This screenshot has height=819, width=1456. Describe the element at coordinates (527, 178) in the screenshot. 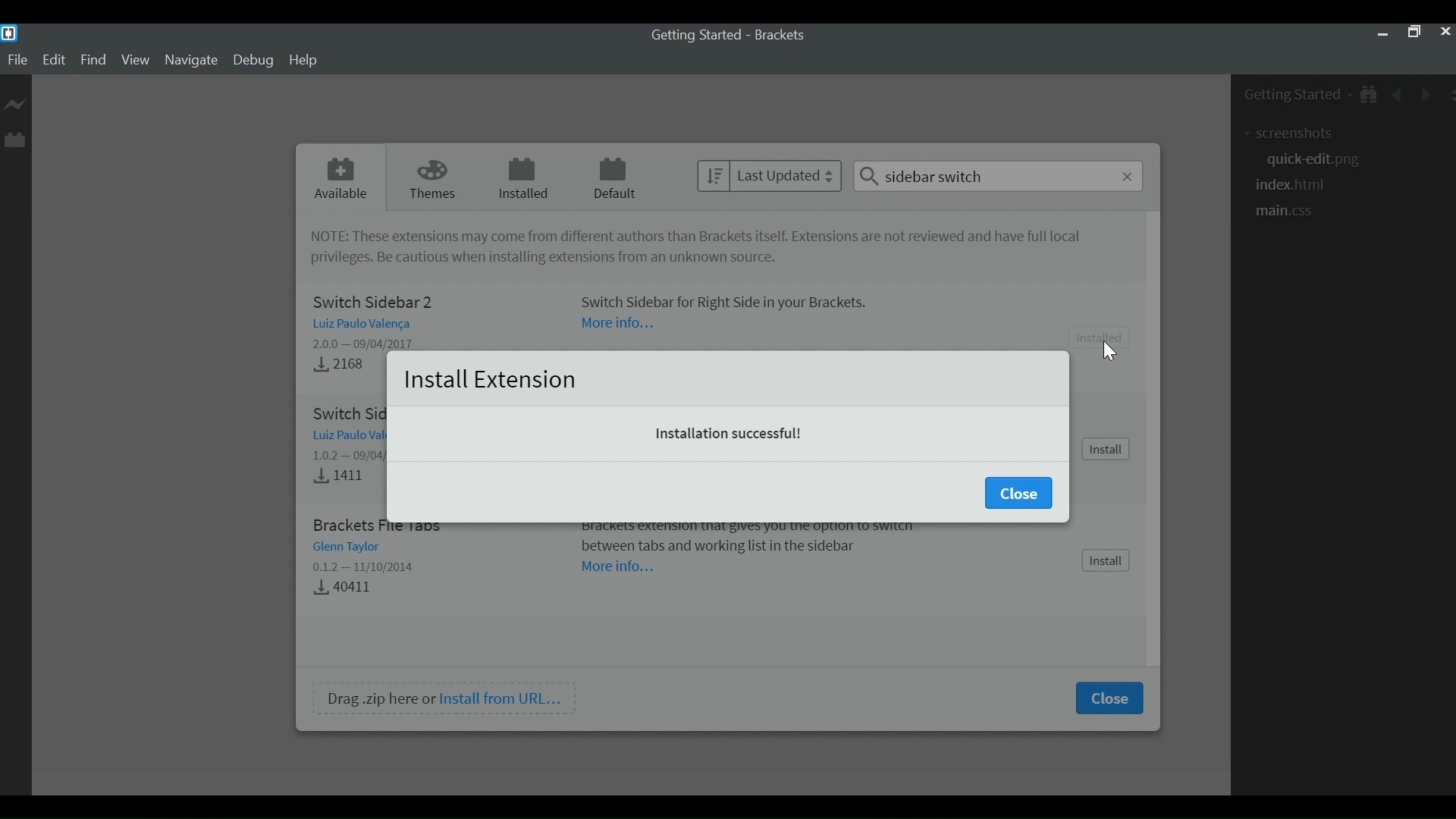

I see `Installed ` at that location.